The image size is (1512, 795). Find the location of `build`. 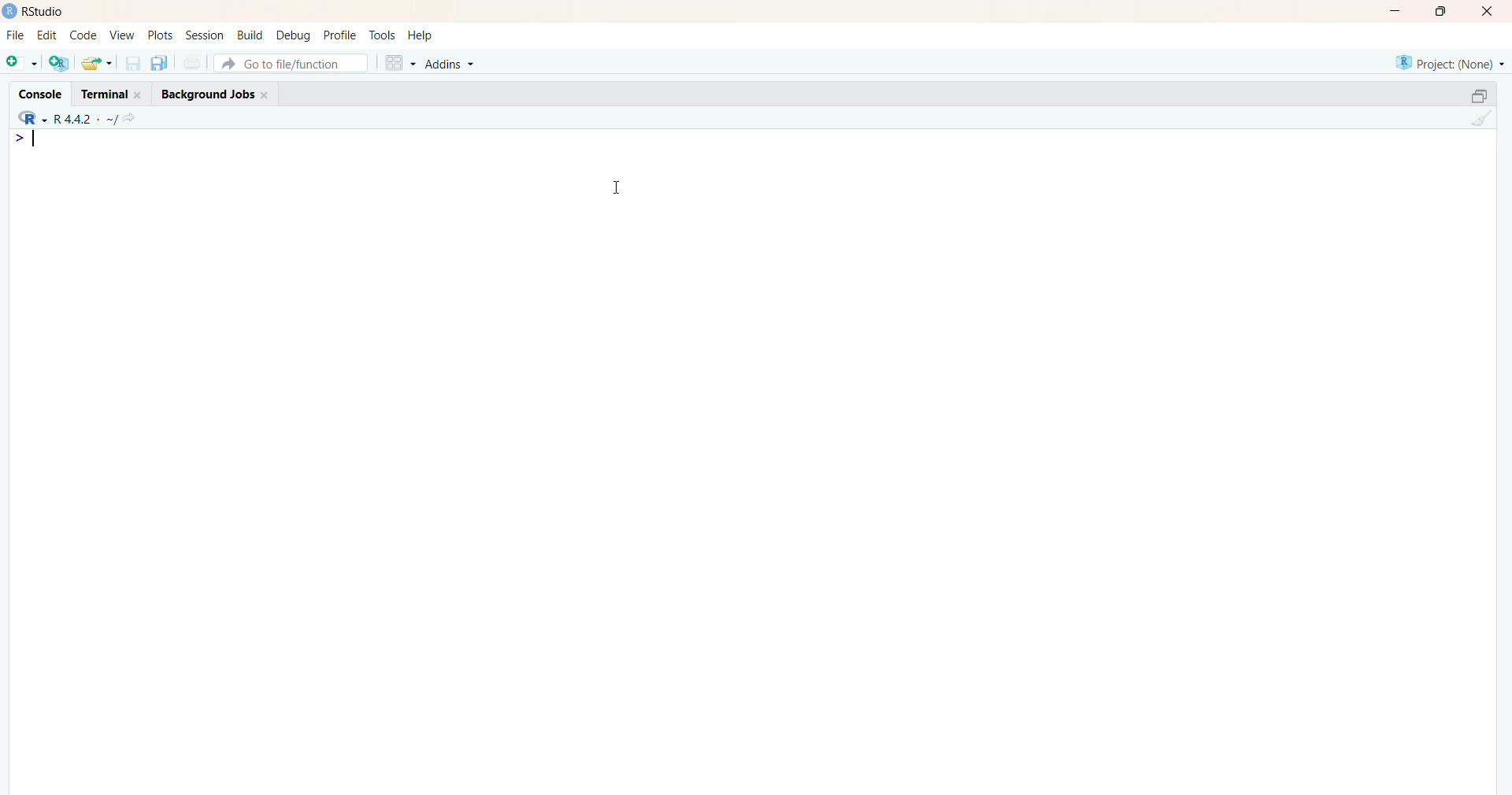

build is located at coordinates (251, 35).